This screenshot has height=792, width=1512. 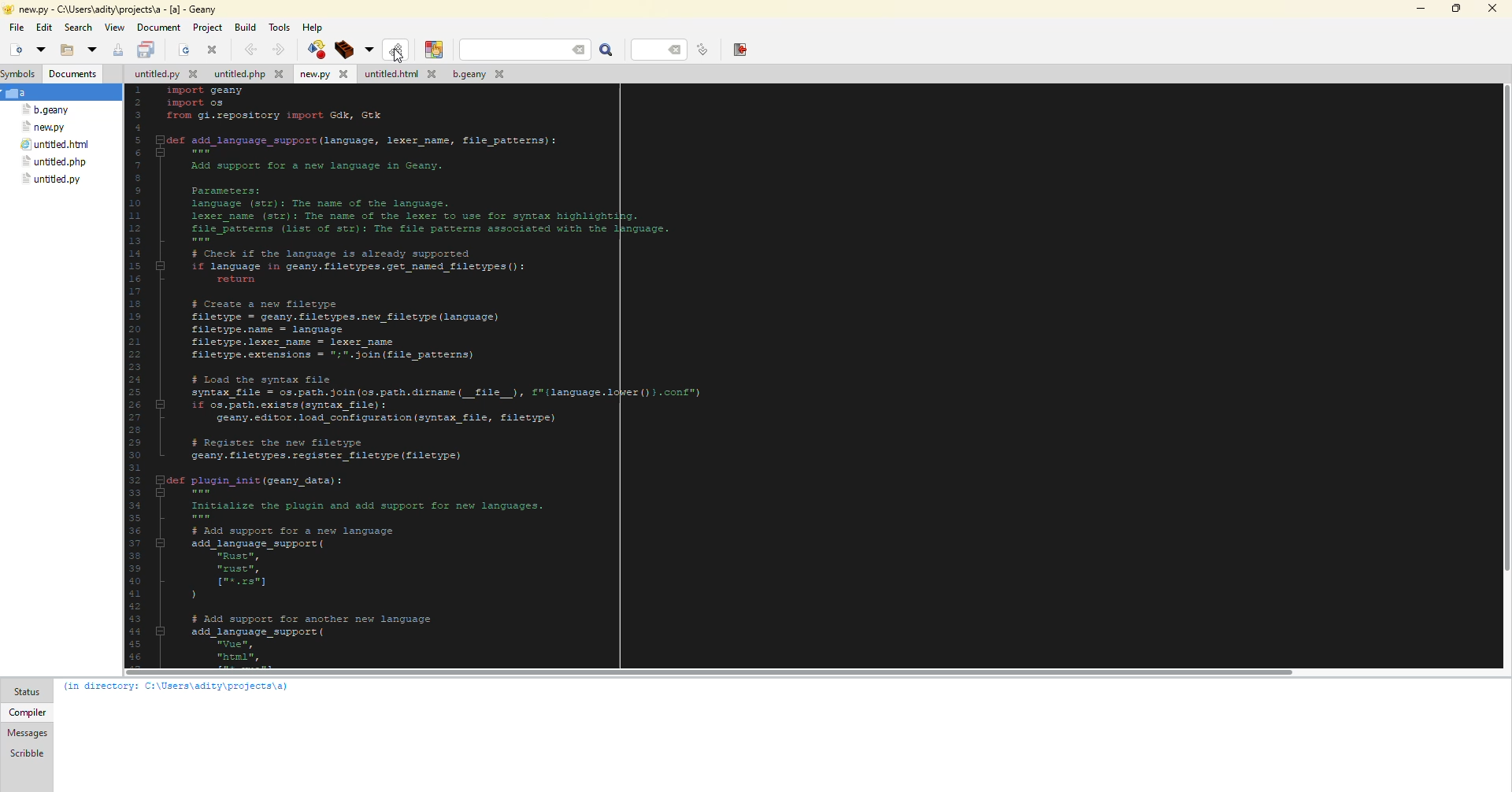 I want to click on project, so click(x=208, y=28).